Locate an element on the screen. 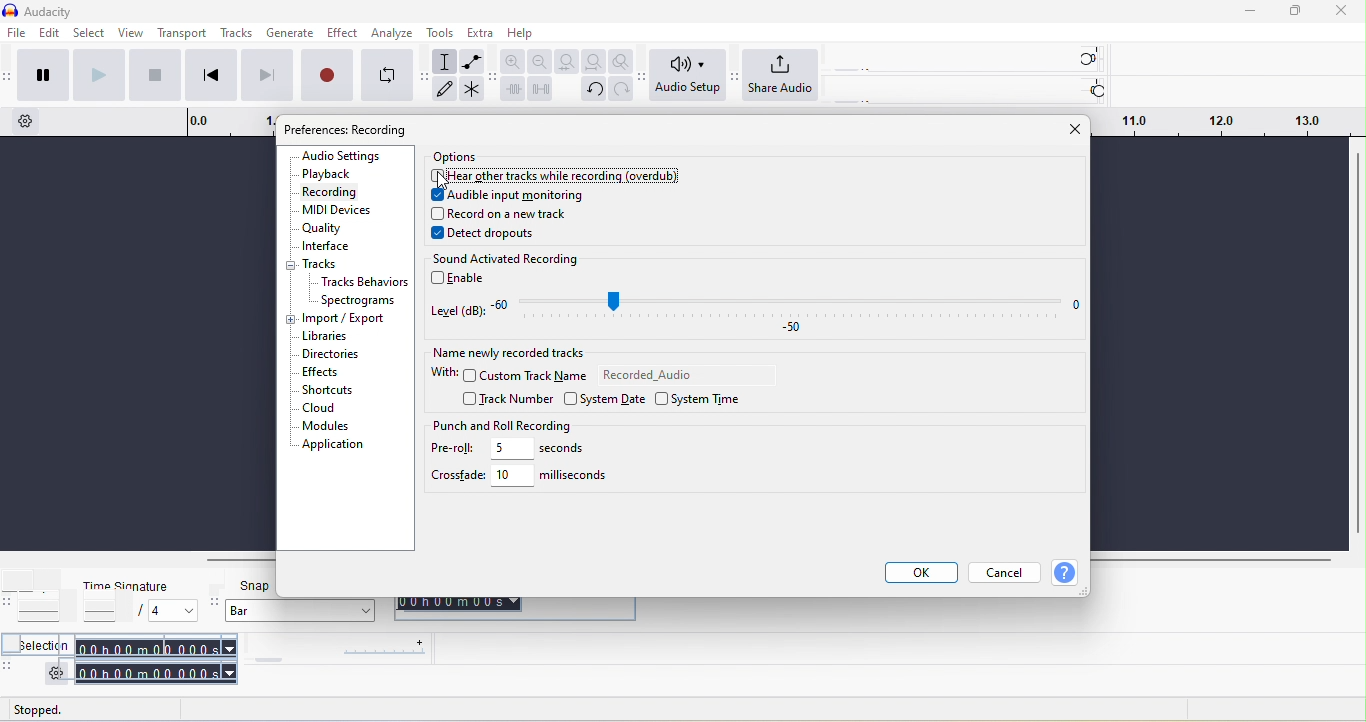 Image resolution: width=1366 pixels, height=722 pixels. recording is located at coordinates (328, 193).